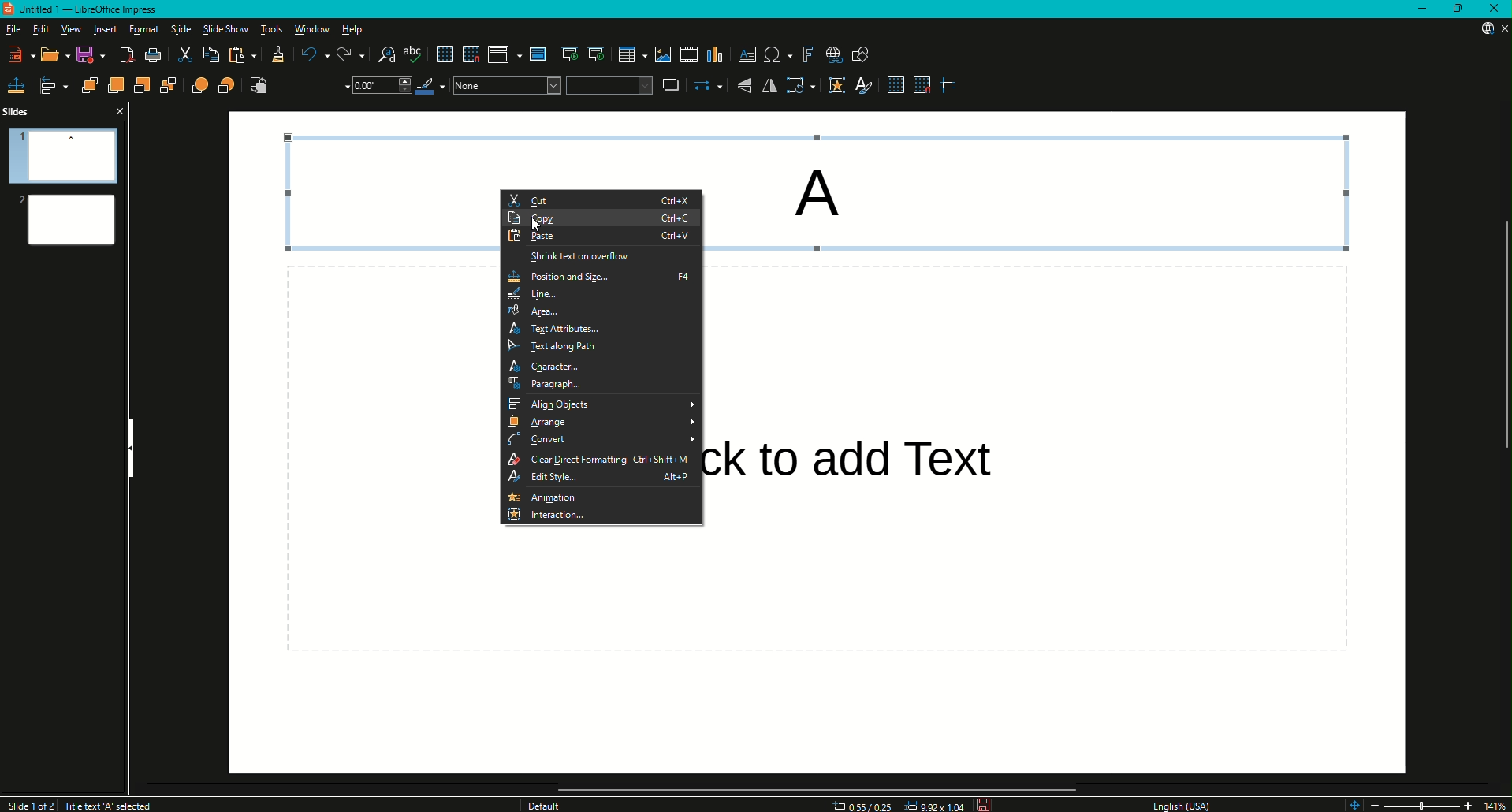 The image size is (1512, 812). I want to click on Reverse, so click(257, 88).